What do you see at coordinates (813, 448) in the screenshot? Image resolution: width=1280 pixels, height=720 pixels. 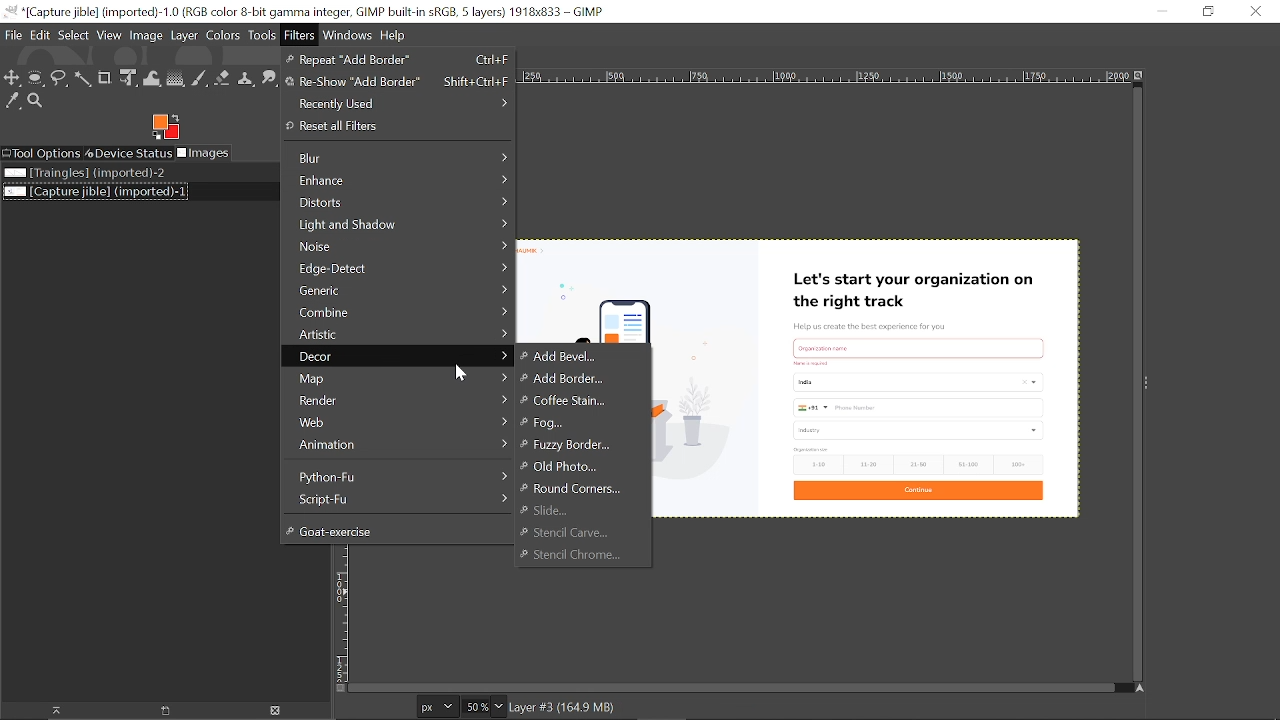 I see `text` at bounding box center [813, 448].